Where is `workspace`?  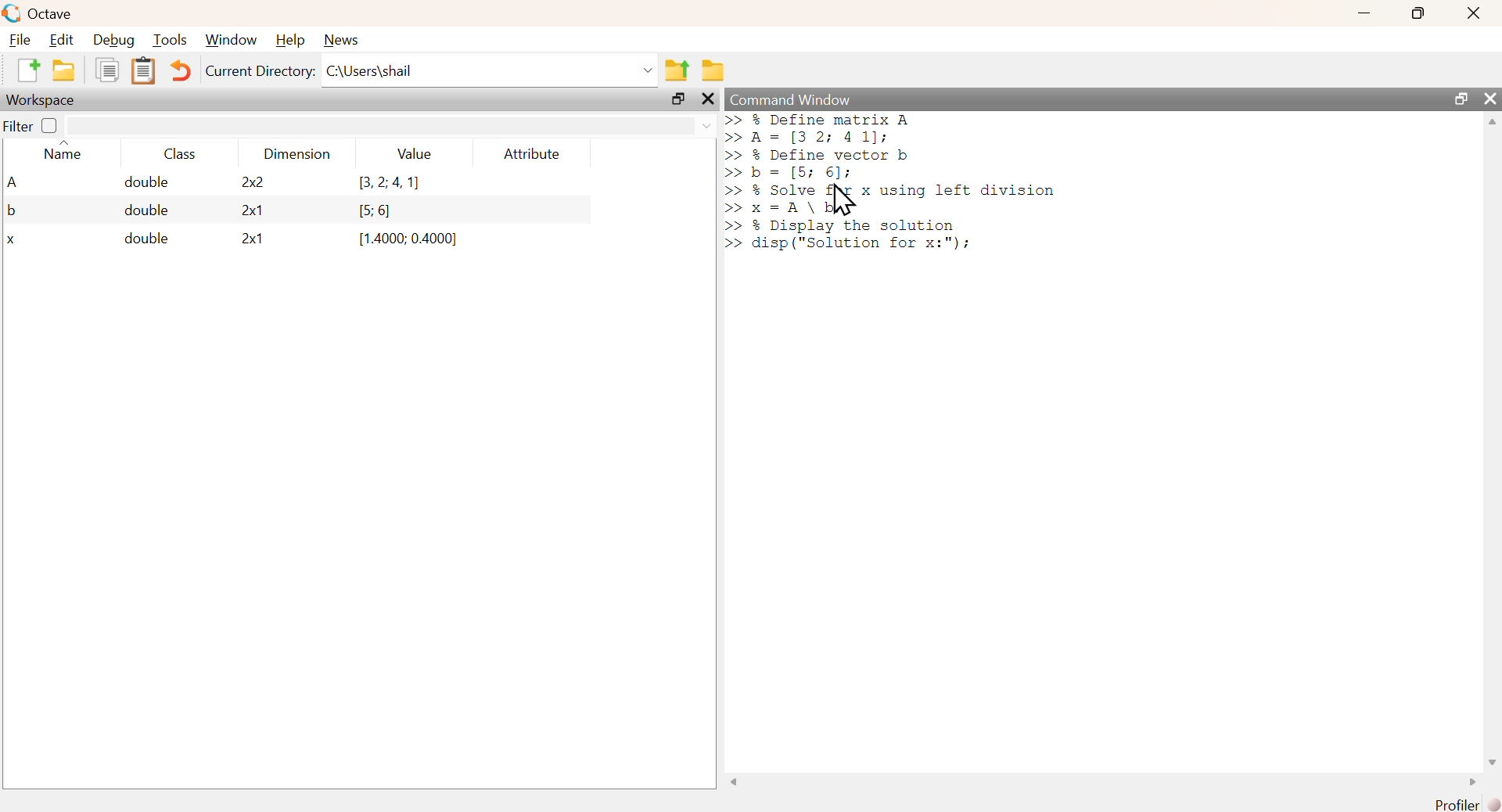 workspace is located at coordinates (43, 100).